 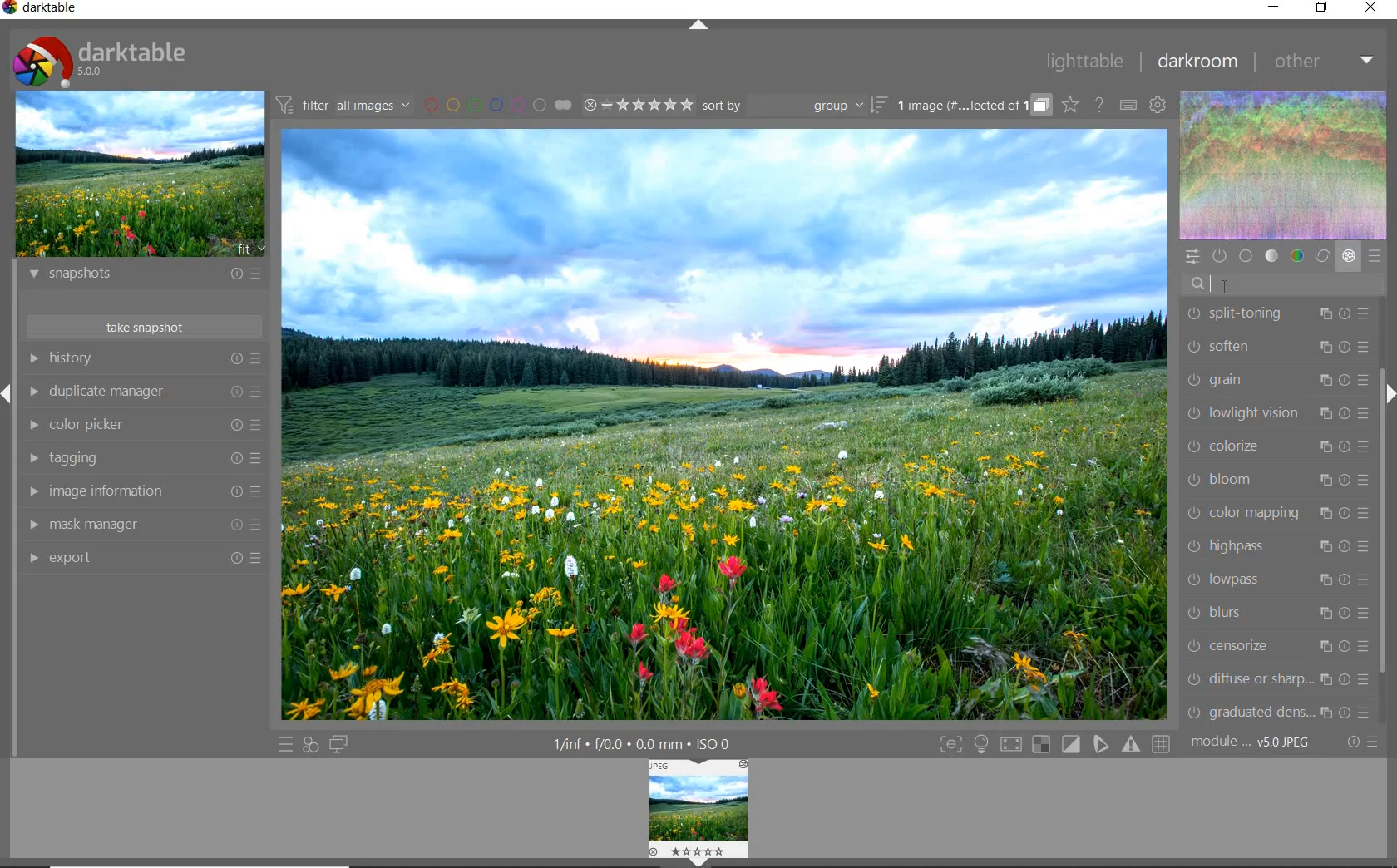 What do you see at coordinates (701, 26) in the screenshot?
I see `expand/collapse` at bounding box center [701, 26].